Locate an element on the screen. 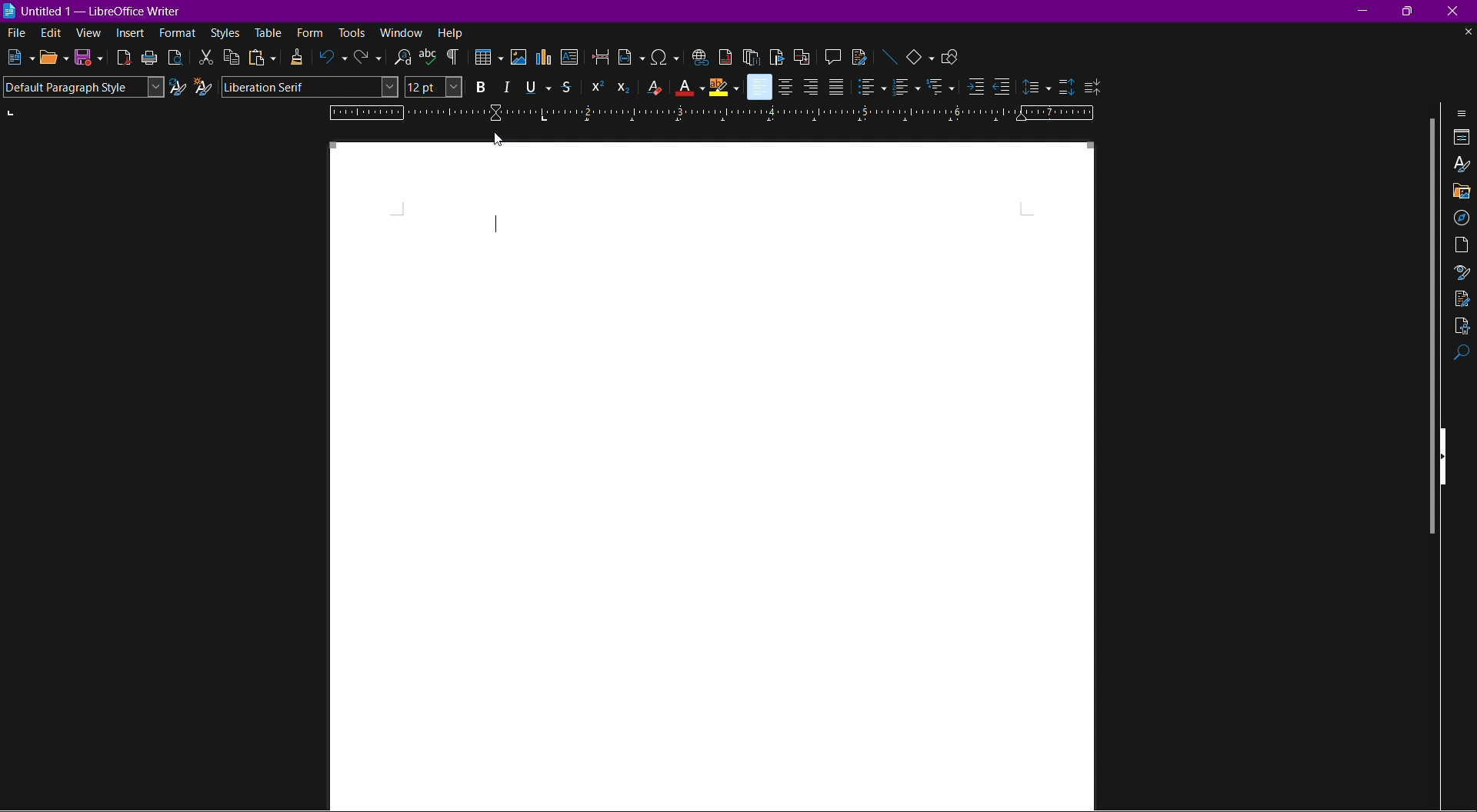 Image resolution: width=1477 pixels, height=812 pixels. Superscript is located at coordinates (595, 86).